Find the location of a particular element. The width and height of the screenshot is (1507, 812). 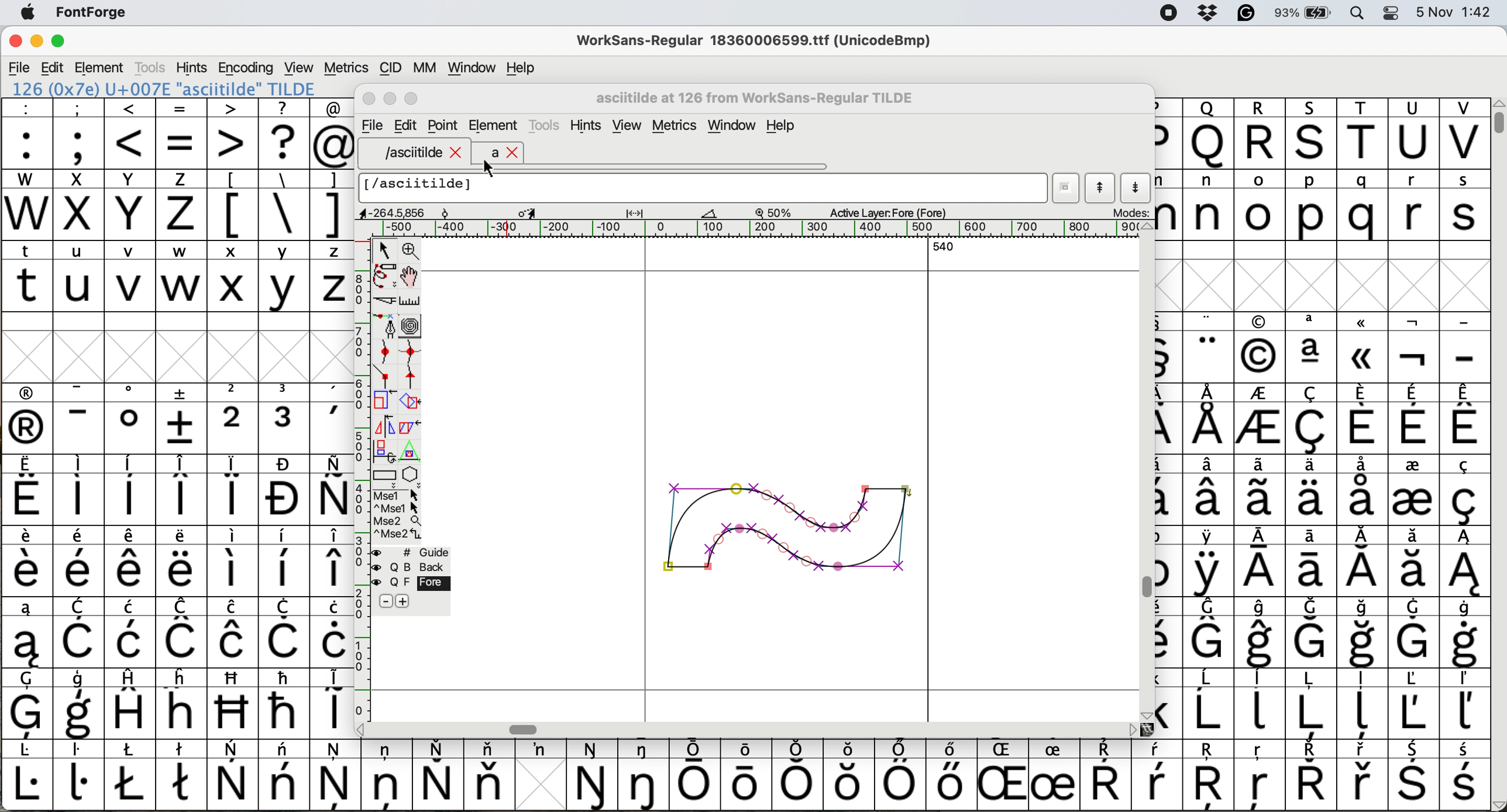

symbol is located at coordinates (336, 774).